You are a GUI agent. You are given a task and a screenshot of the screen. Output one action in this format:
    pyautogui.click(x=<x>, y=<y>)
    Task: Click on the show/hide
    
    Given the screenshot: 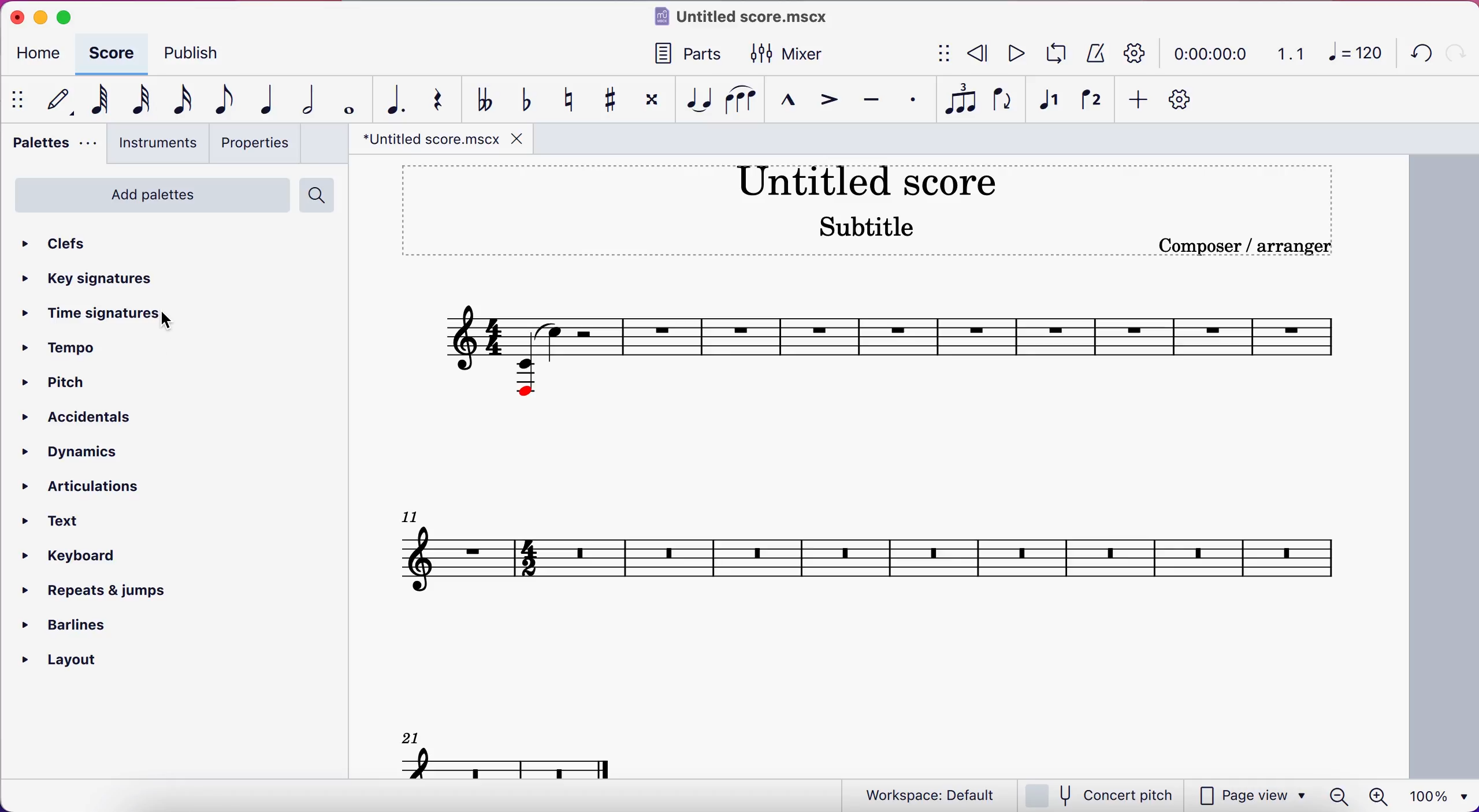 What is the action you would take?
    pyautogui.click(x=946, y=53)
    